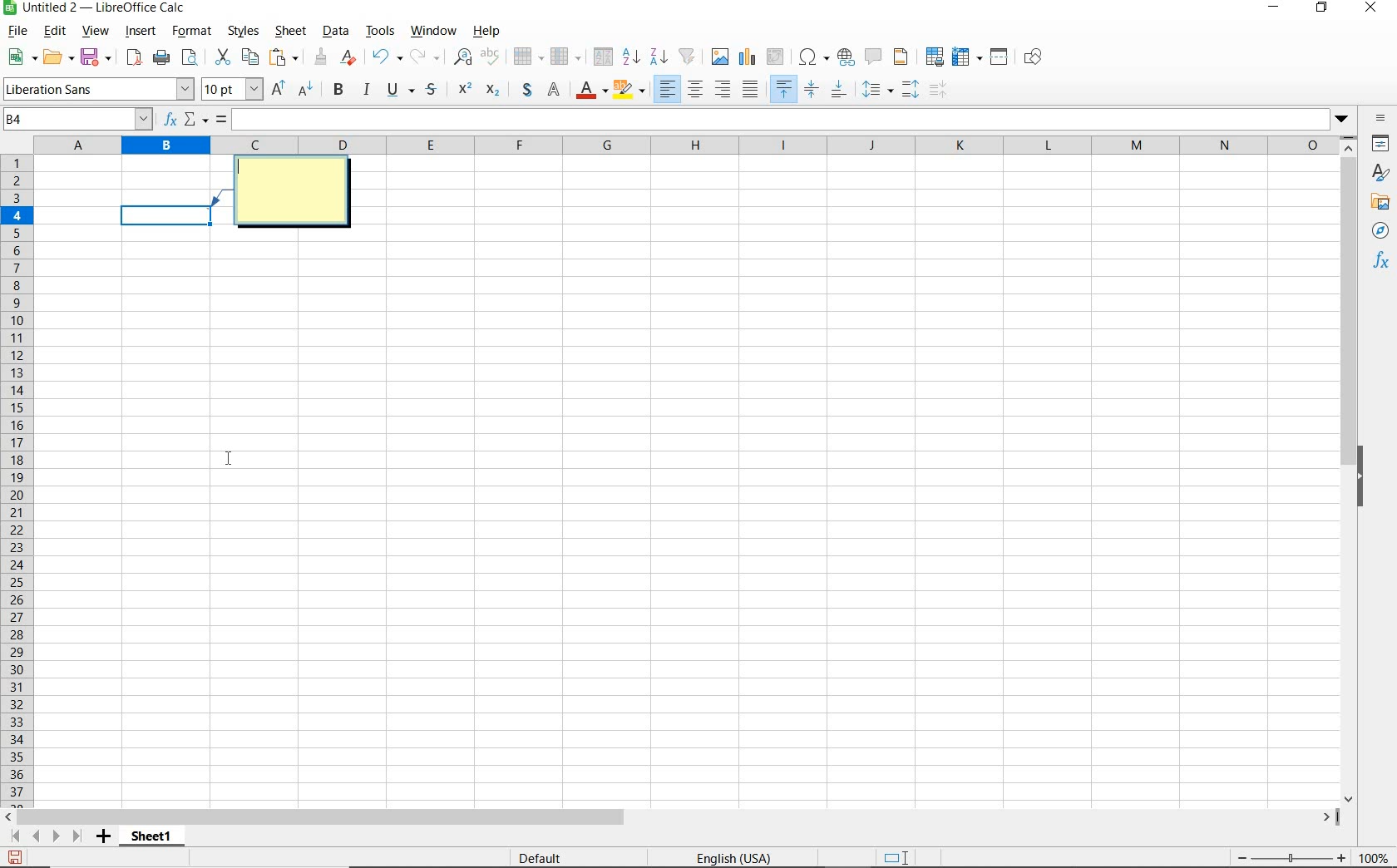 Image resolution: width=1397 pixels, height=868 pixels. Describe the element at coordinates (170, 120) in the screenshot. I see `function wizard` at that location.